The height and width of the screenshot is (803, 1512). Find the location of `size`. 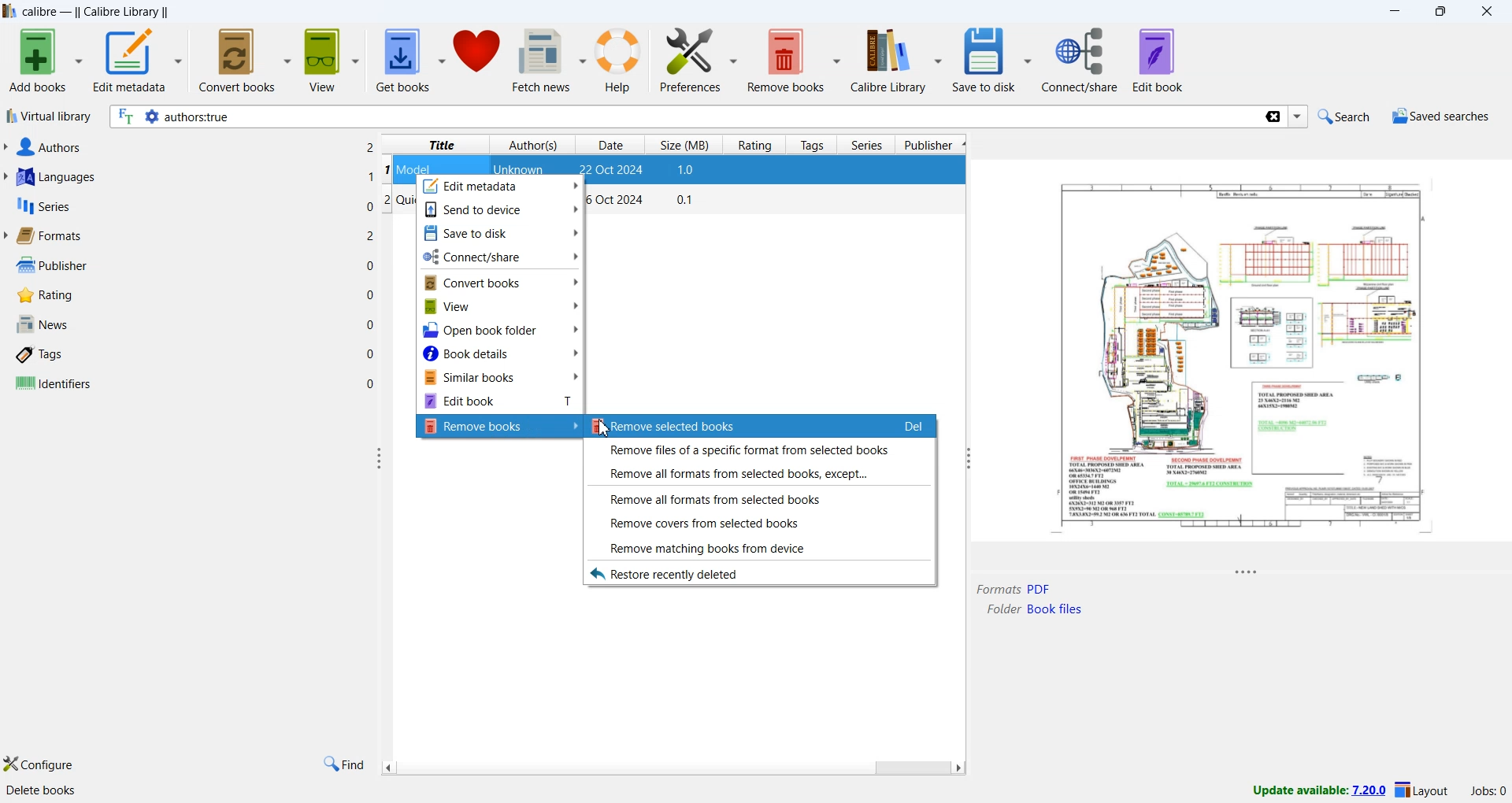

size is located at coordinates (686, 143).